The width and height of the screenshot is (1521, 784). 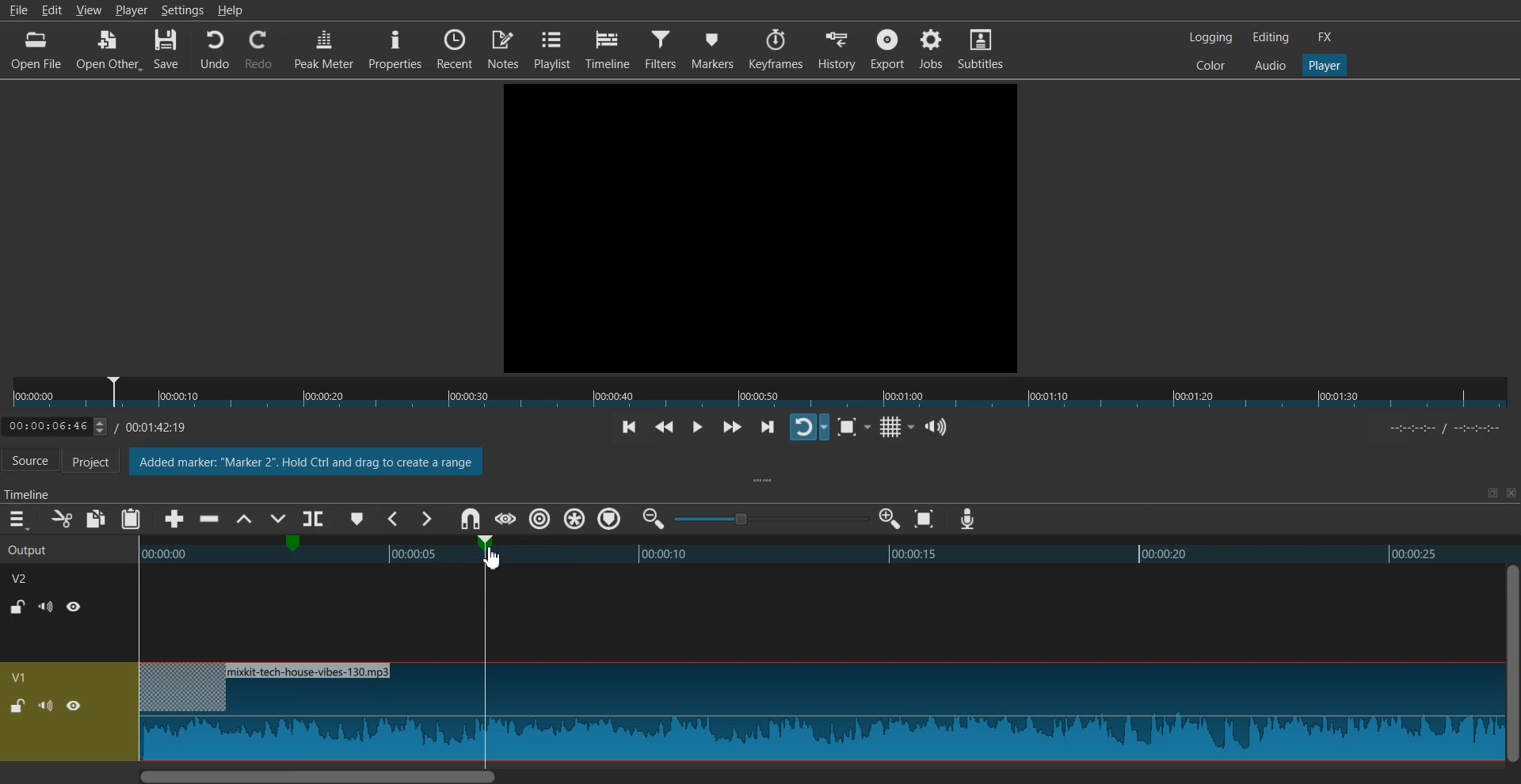 What do you see at coordinates (809, 427) in the screenshot?
I see `Toggle player lopping` at bounding box center [809, 427].